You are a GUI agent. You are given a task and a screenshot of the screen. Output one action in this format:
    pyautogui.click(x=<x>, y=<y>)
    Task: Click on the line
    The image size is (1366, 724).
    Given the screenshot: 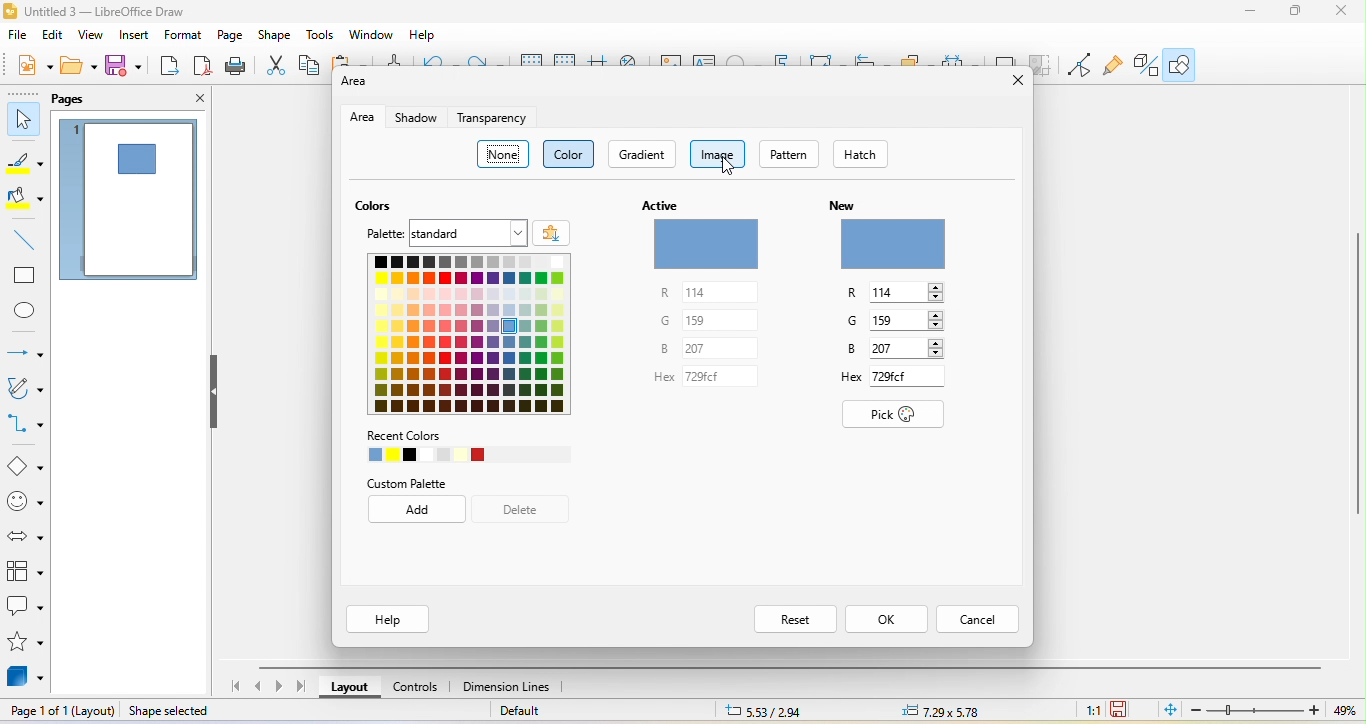 What is the action you would take?
    pyautogui.click(x=20, y=239)
    